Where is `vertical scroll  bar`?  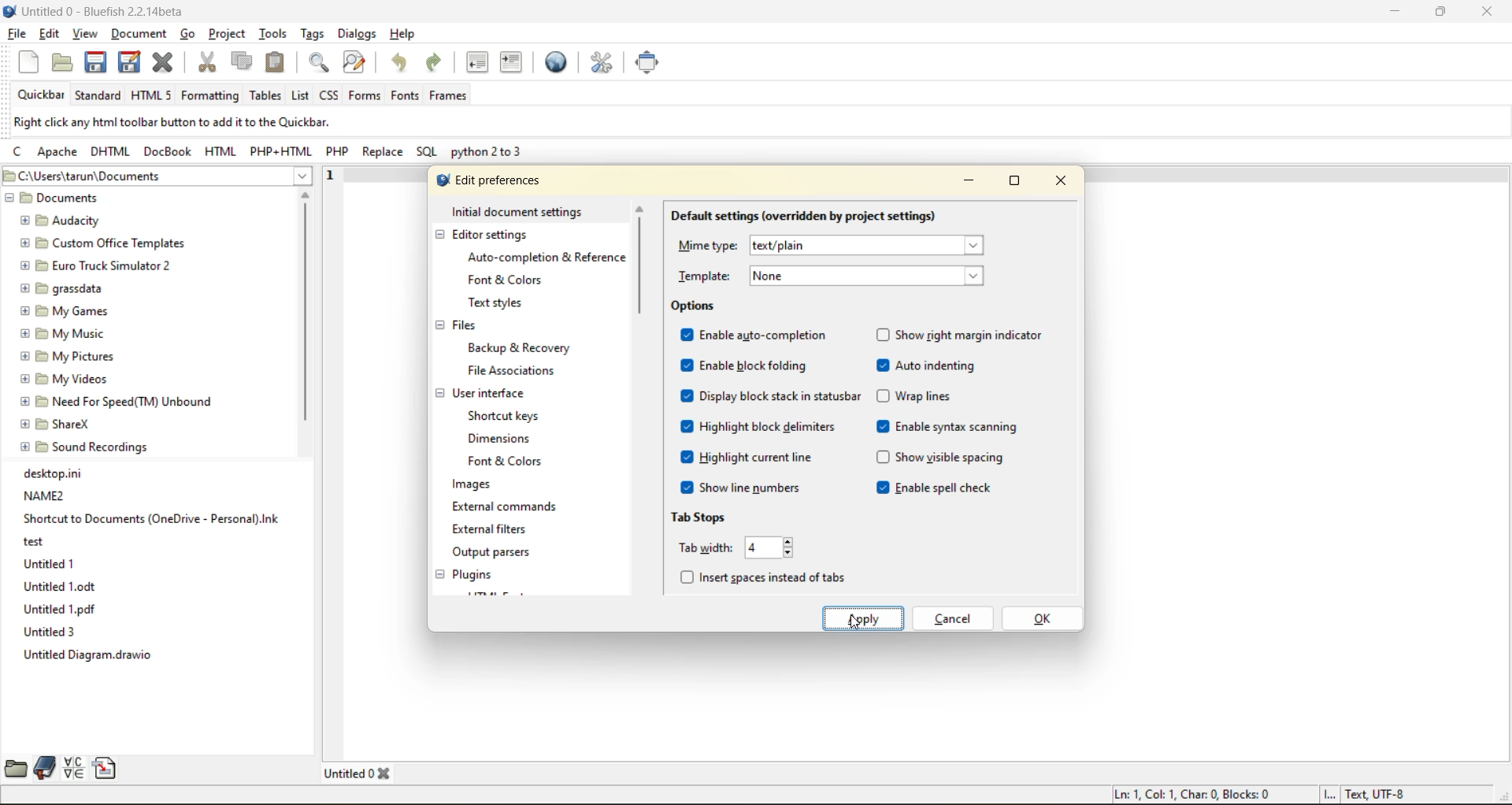 vertical scroll  bar is located at coordinates (642, 266).